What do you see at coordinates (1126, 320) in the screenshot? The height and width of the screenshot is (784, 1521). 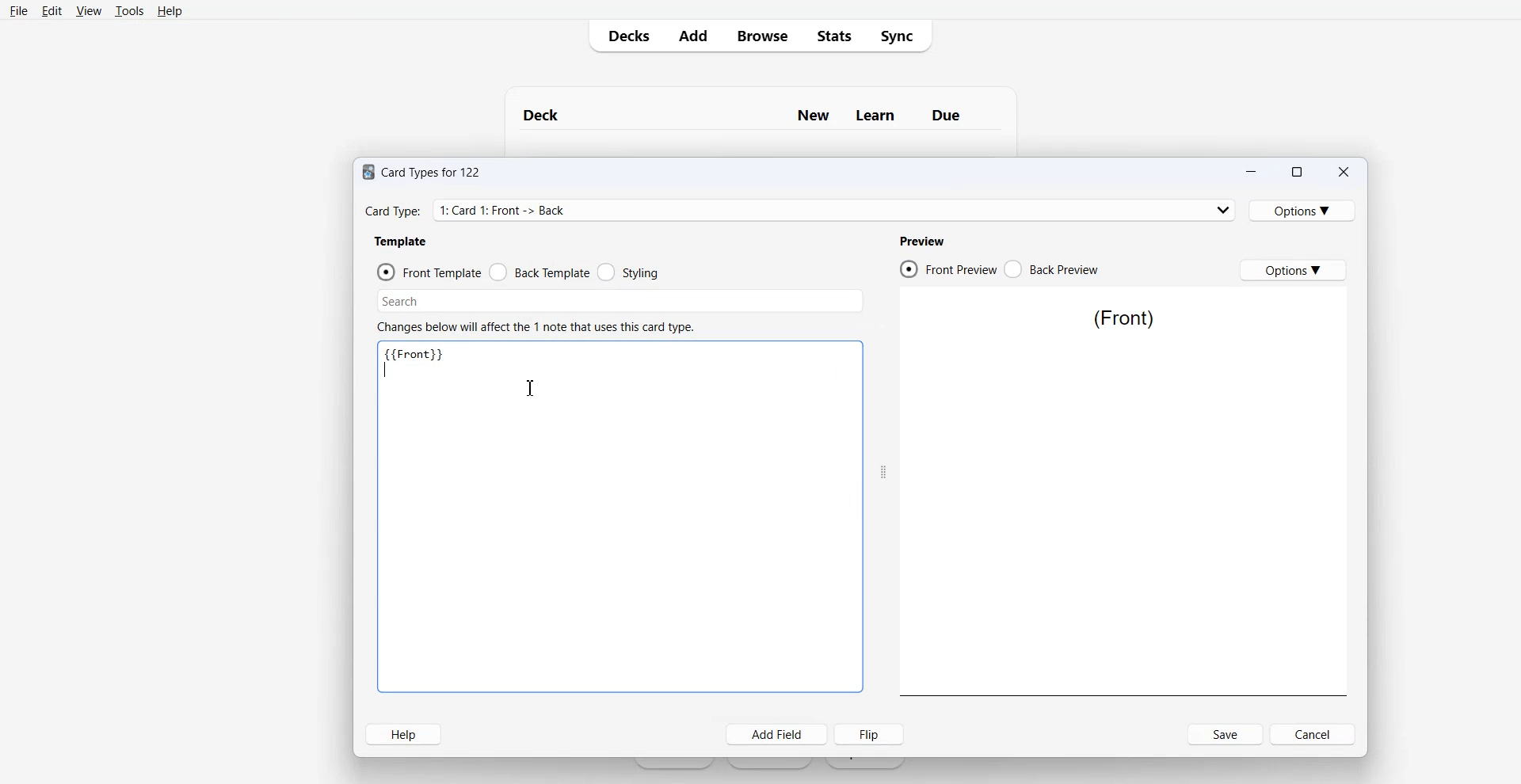 I see `Text 3` at bounding box center [1126, 320].